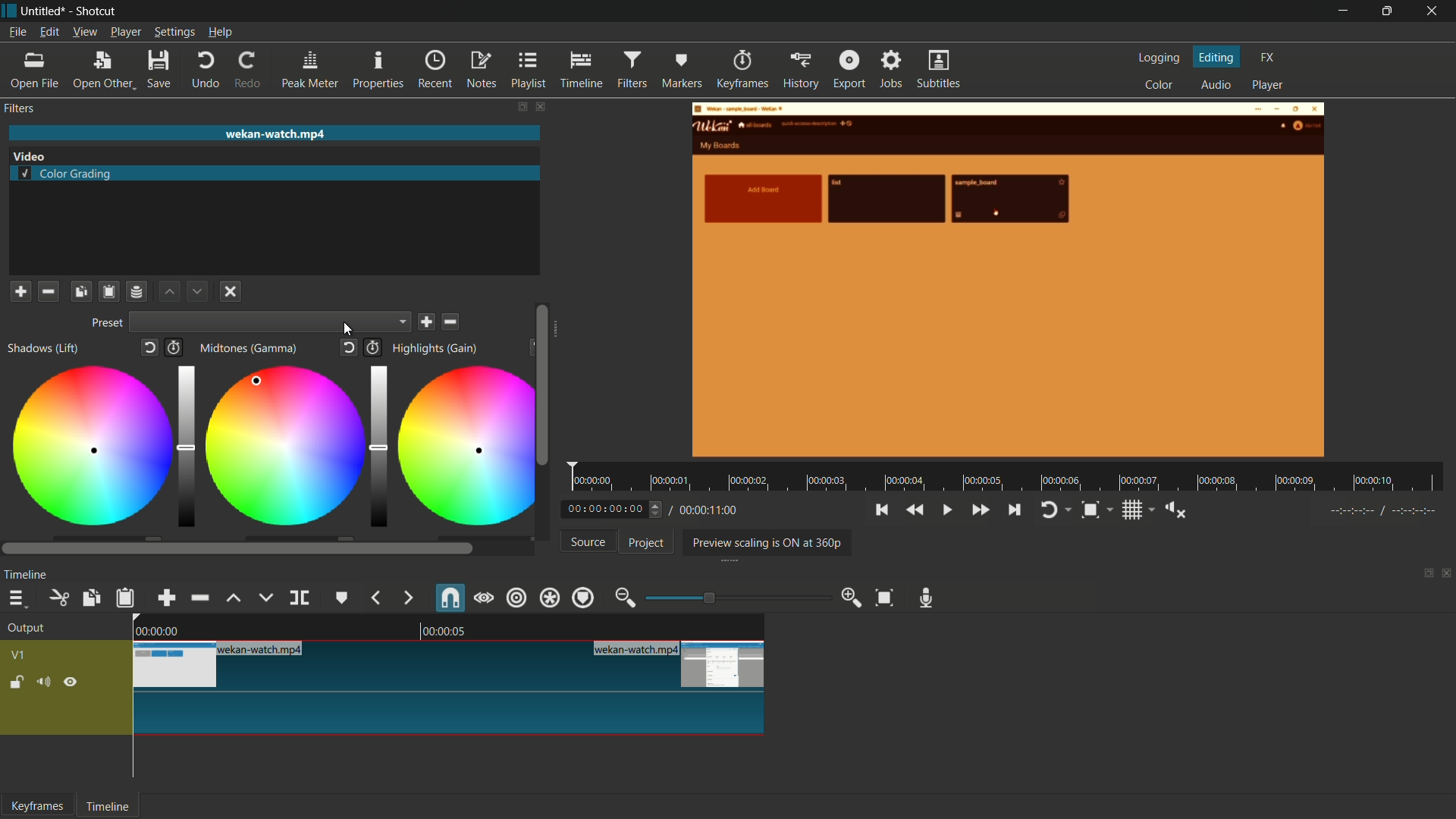  Describe the element at coordinates (457, 632) in the screenshot. I see `00.00.05` at that location.